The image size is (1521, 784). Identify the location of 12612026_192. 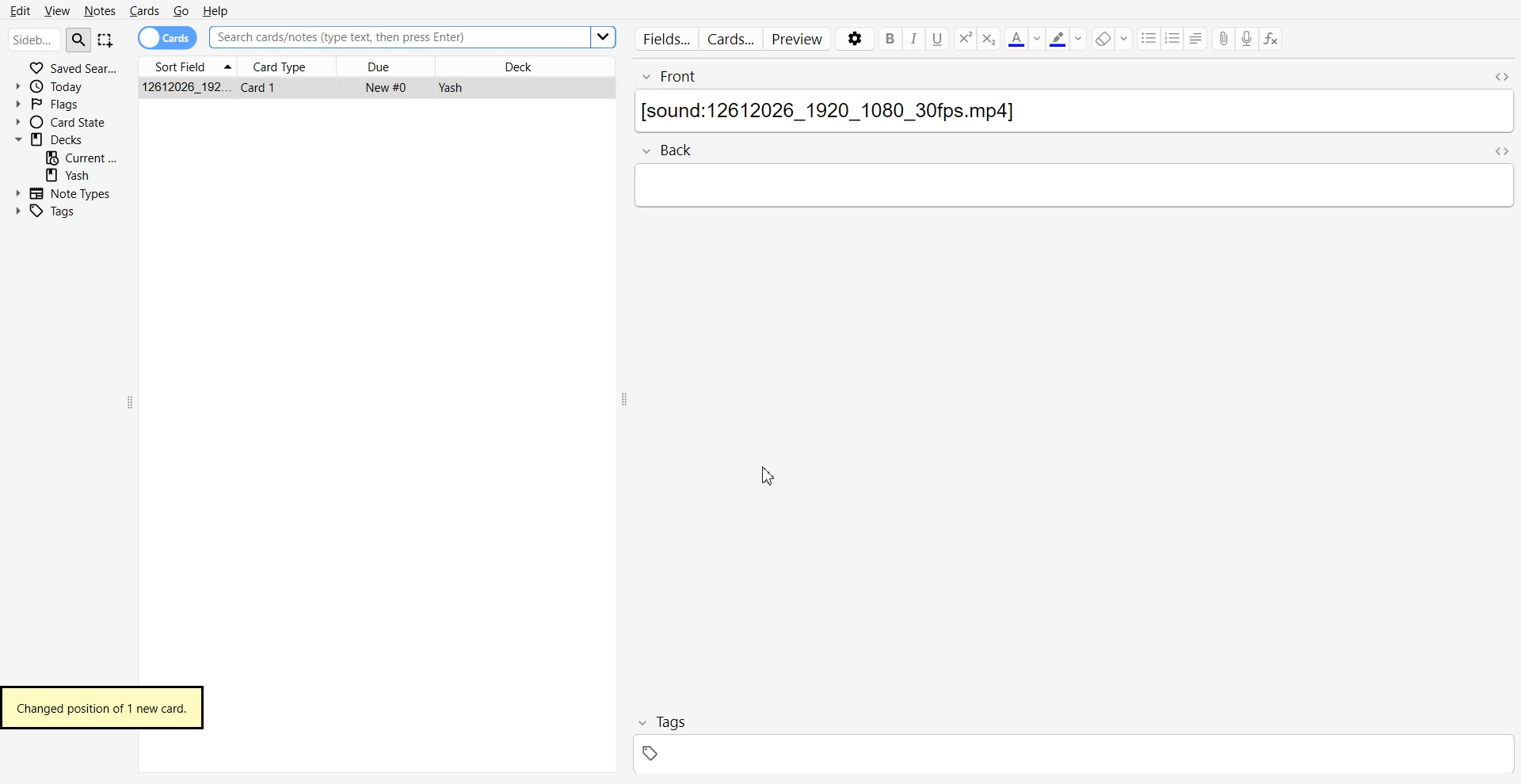
(186, 88).